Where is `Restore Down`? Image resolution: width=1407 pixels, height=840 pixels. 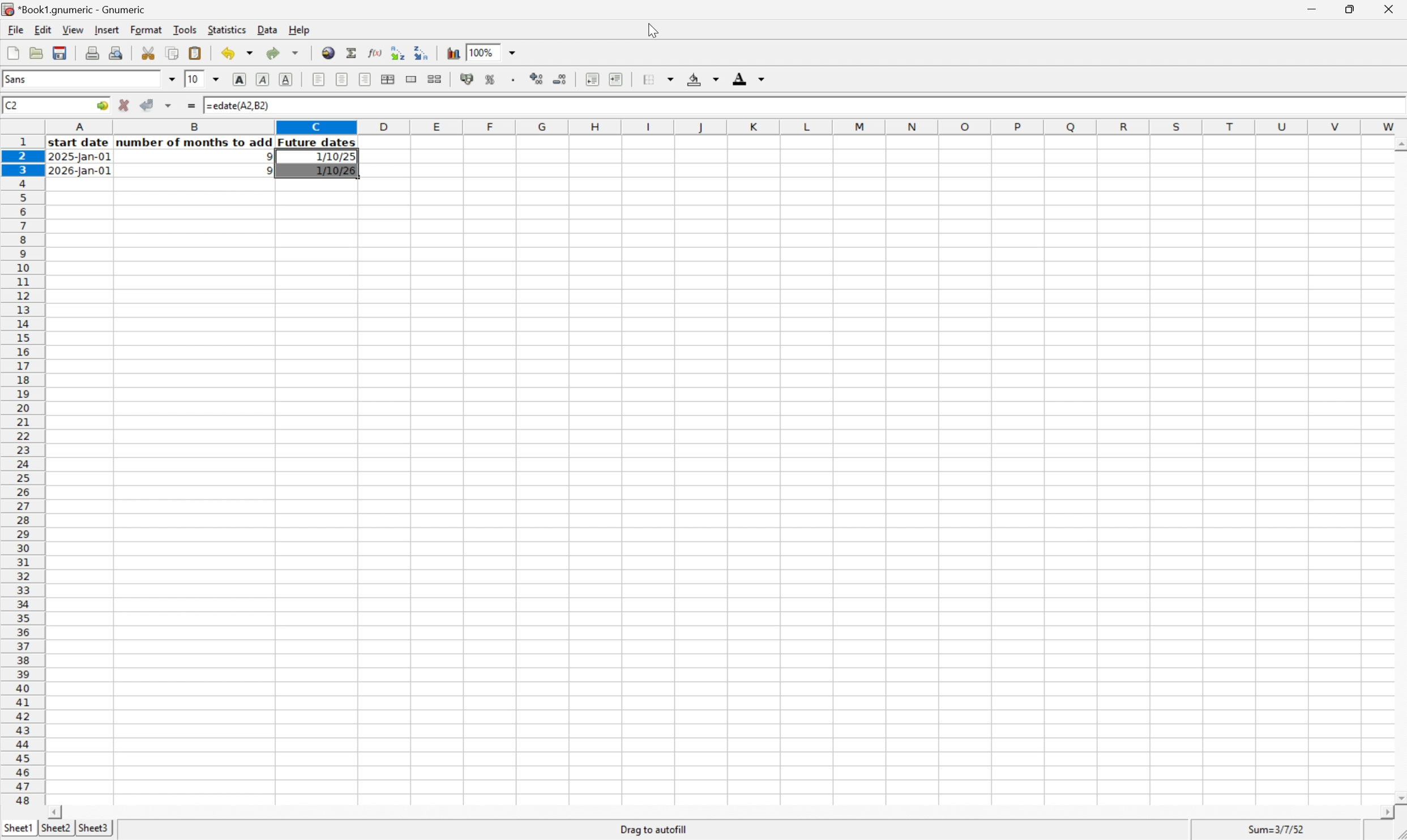
Restore Down is located at coordinates (1349, 7).